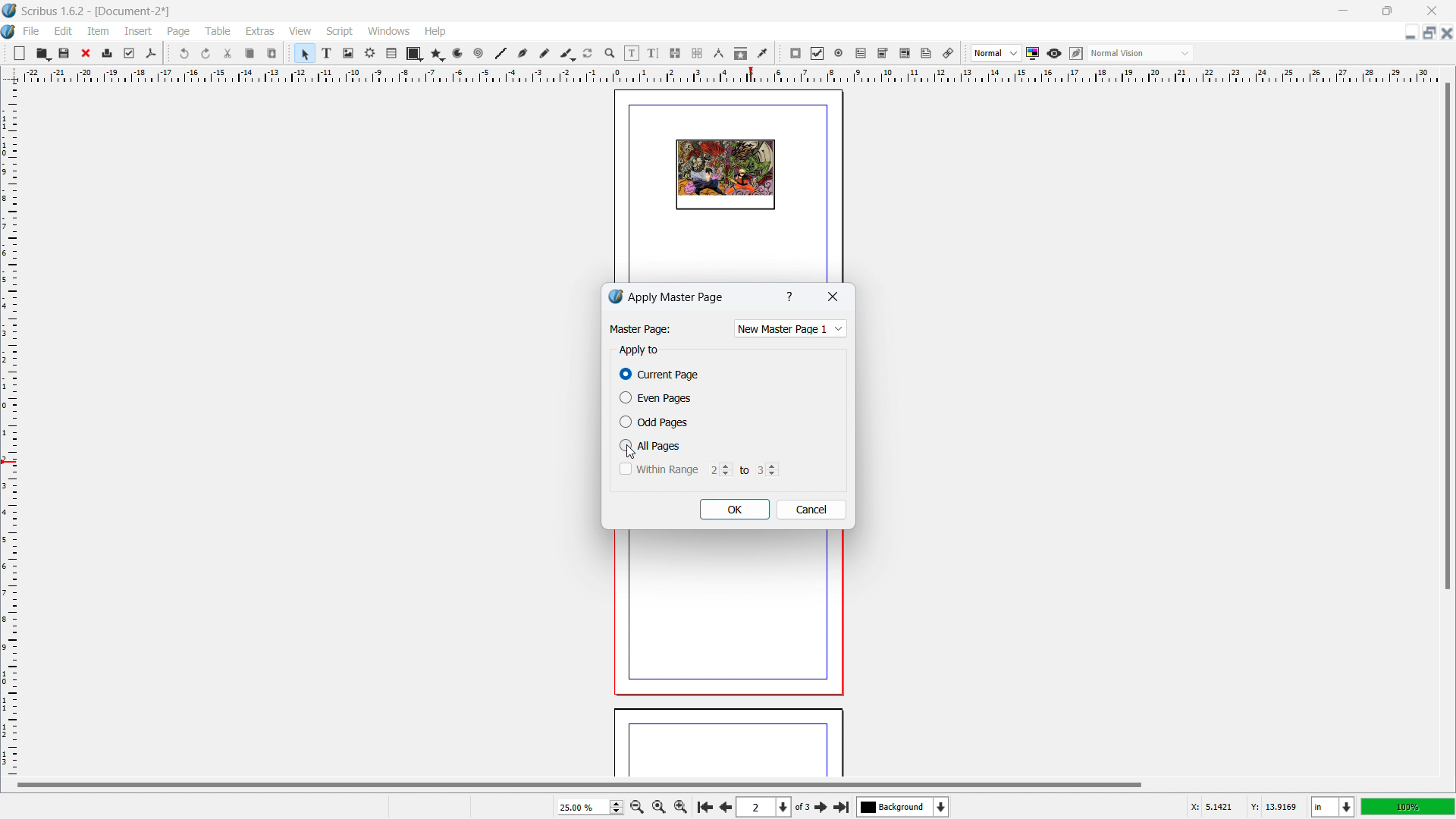 The width and height of the screenshot is (1456, 819). What do you see at coordinates (704, 805) in the screenshot?
I see `first page` at bounding box center [704, 805].